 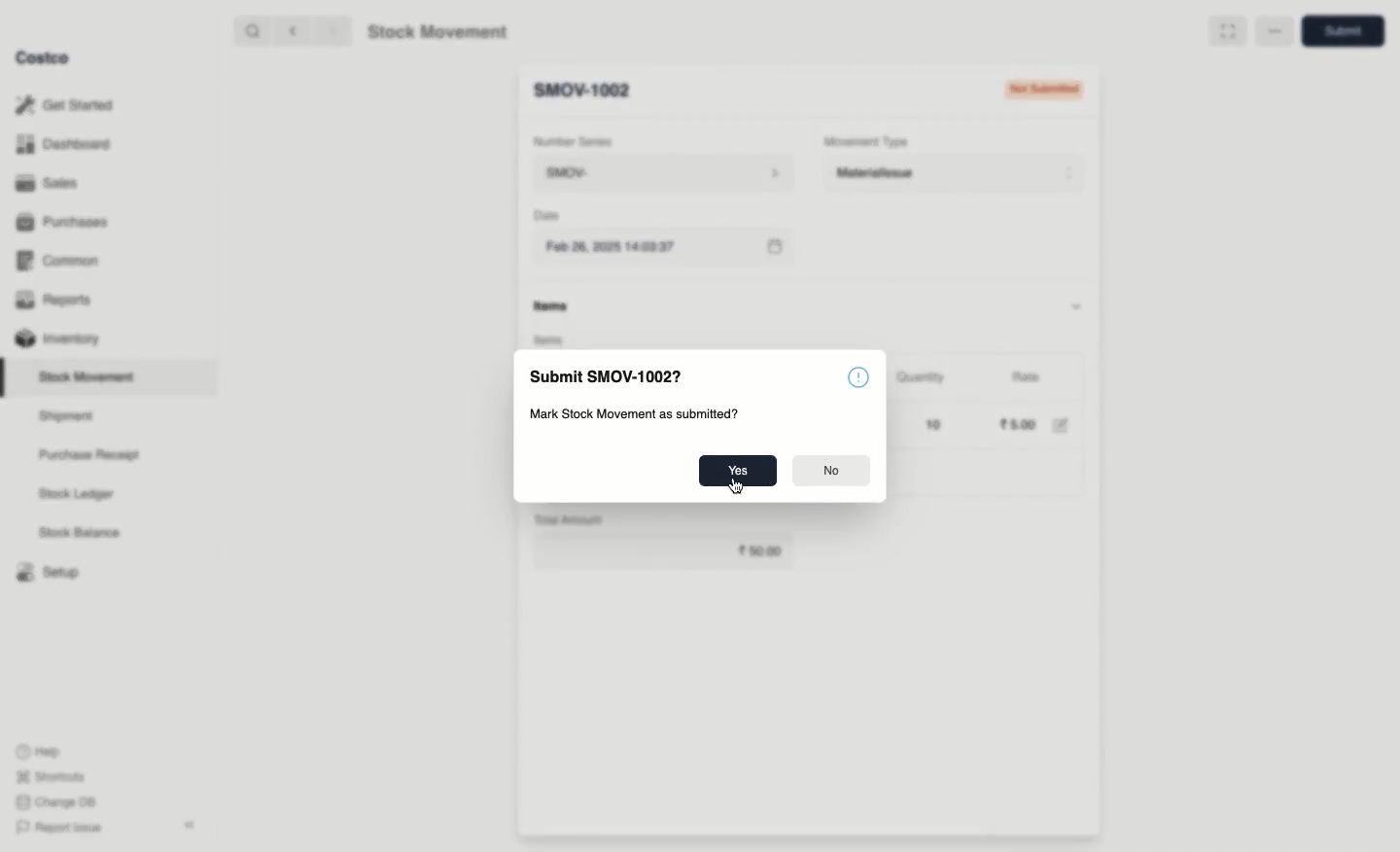 I want to click on hide, so click(x=1079, y=304).